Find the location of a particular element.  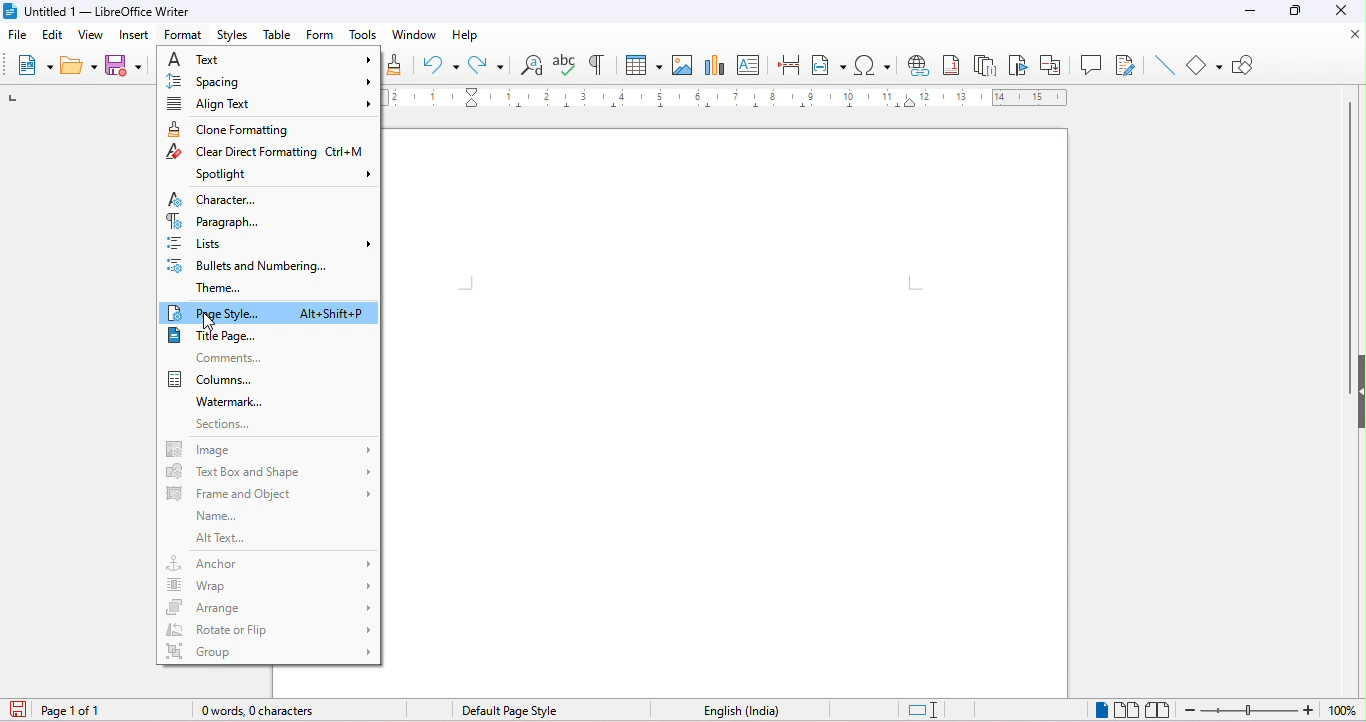

word and character count is located at coordinates (257, 713).